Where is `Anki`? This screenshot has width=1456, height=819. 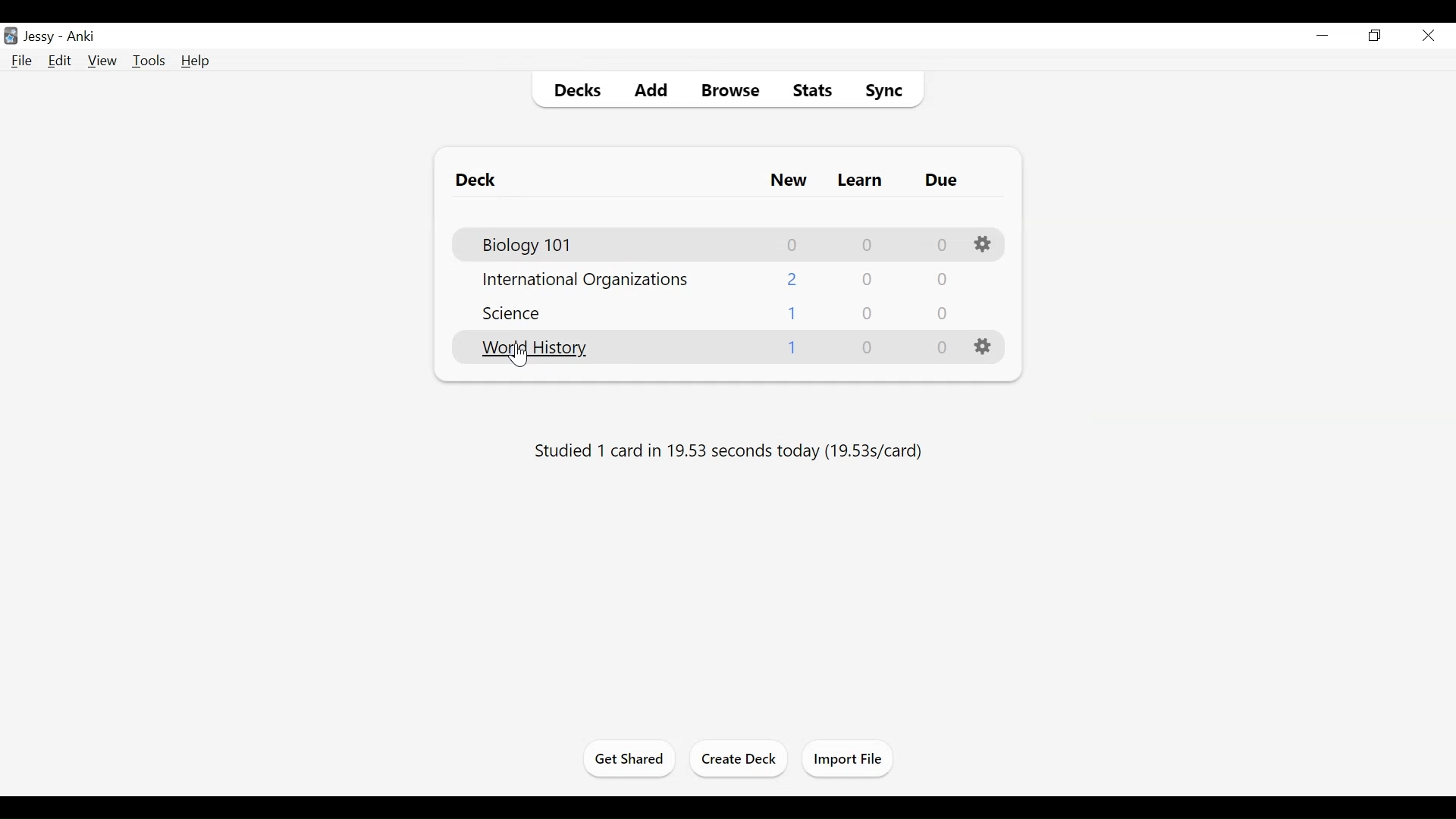
Anki is located at coordinates (83, 38).